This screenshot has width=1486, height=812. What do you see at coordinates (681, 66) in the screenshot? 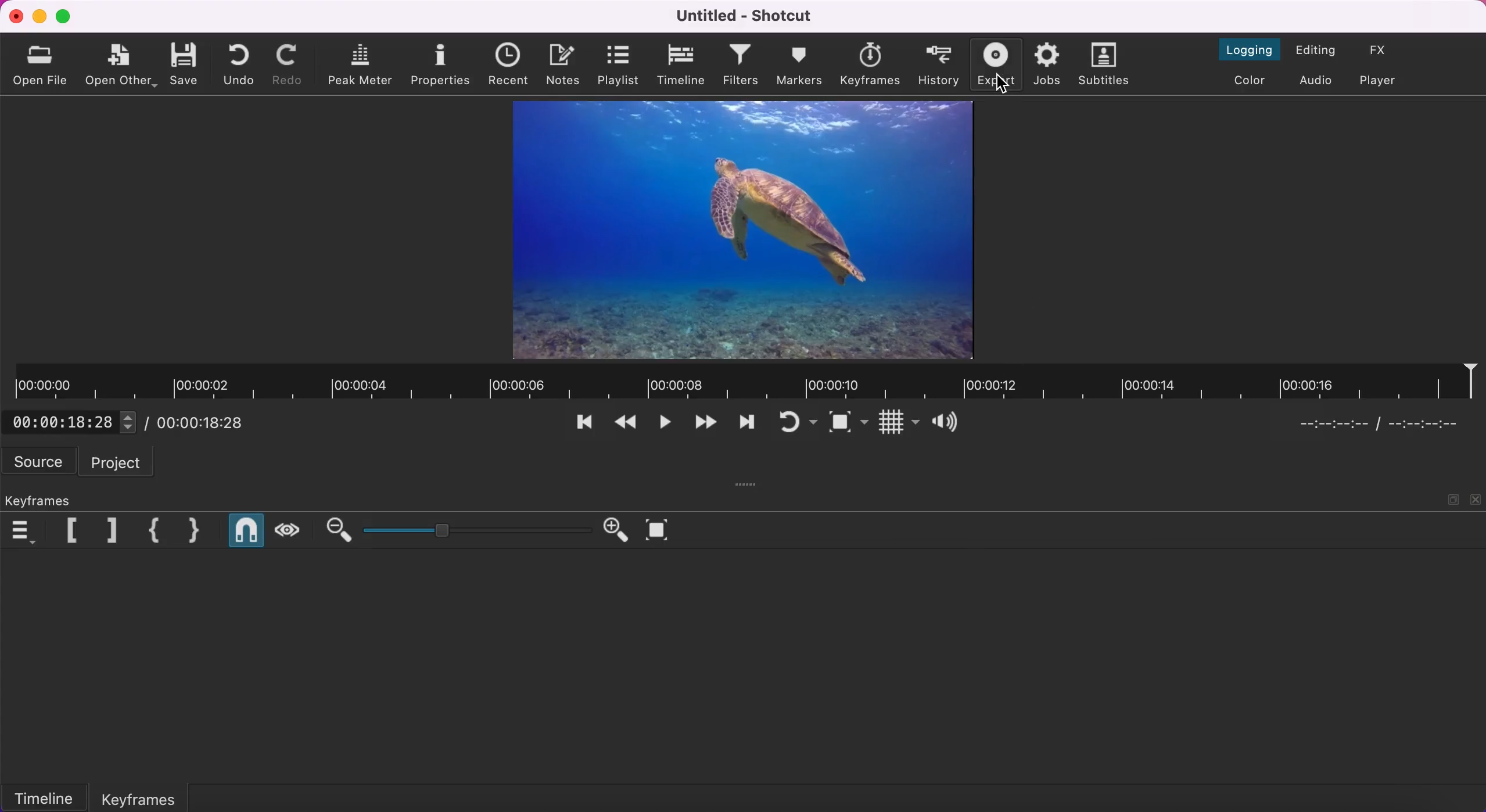
I see `timeline` at bounding box center [681, 66].